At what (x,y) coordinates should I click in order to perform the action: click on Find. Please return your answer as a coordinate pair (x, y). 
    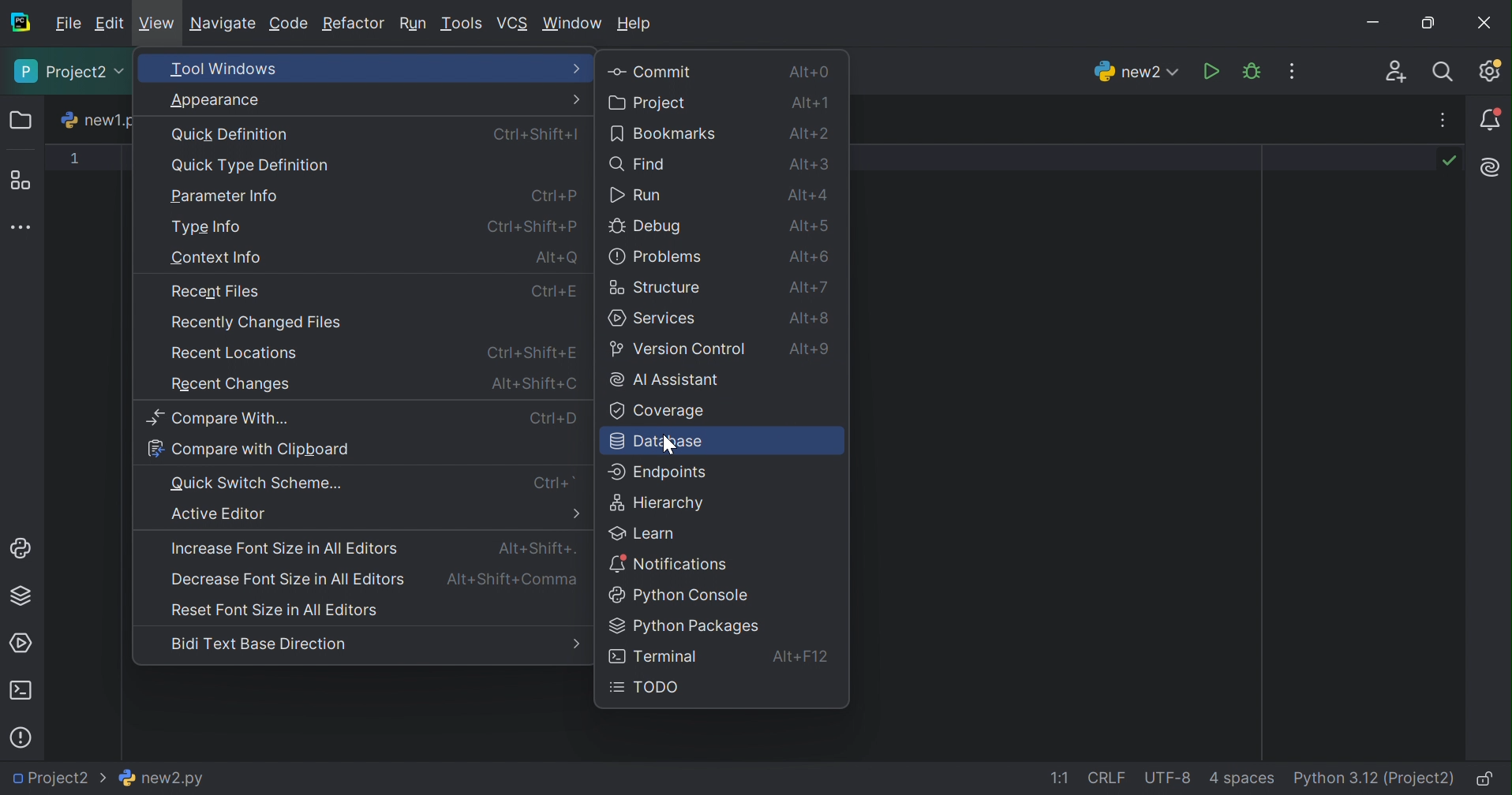
    Looking at the image, I should click on (637, 163).